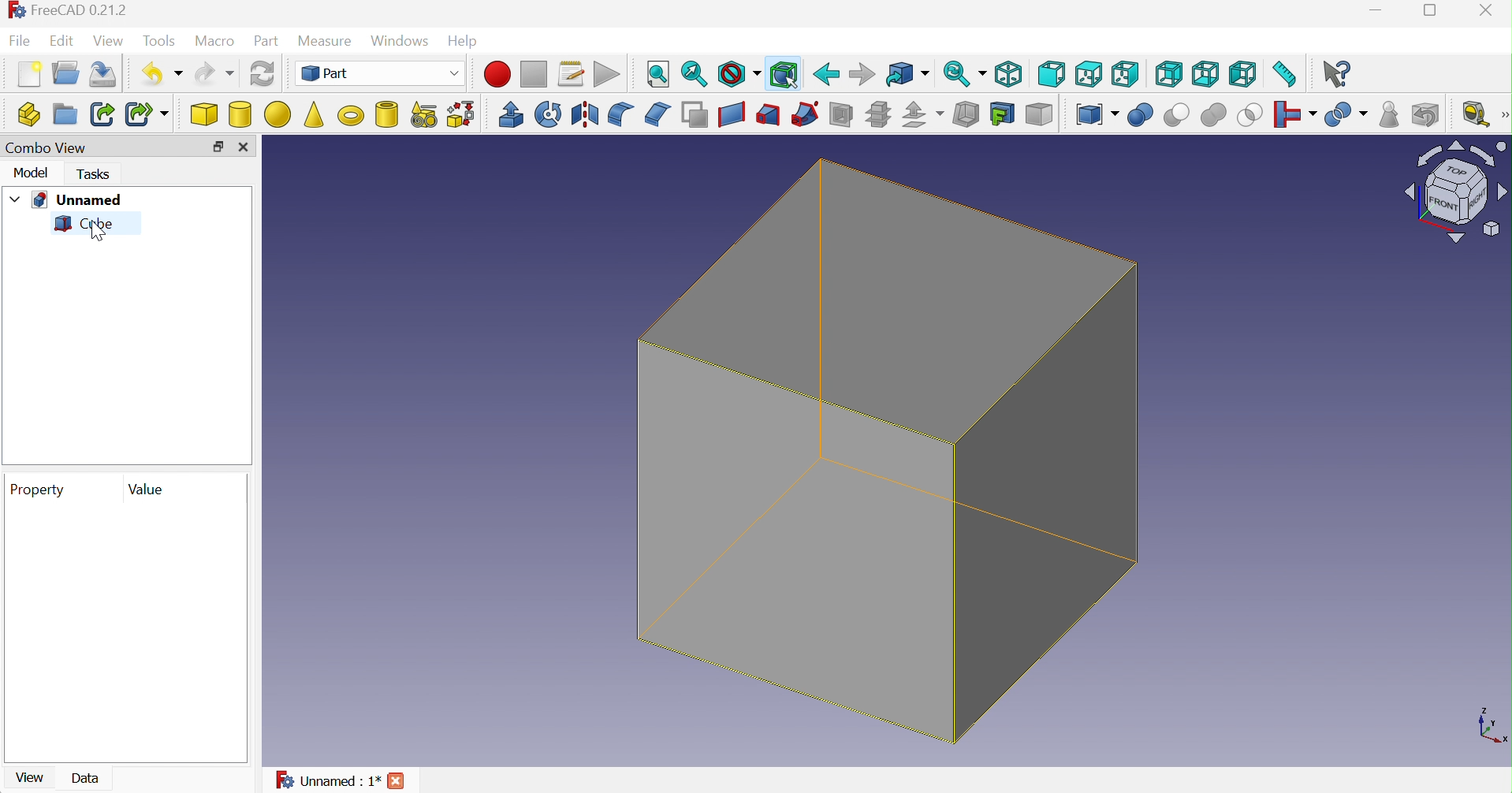  What do you see at coordinates (96, 174) in the screenshot?
I see `Tasks` at bounding box center [96, 174].